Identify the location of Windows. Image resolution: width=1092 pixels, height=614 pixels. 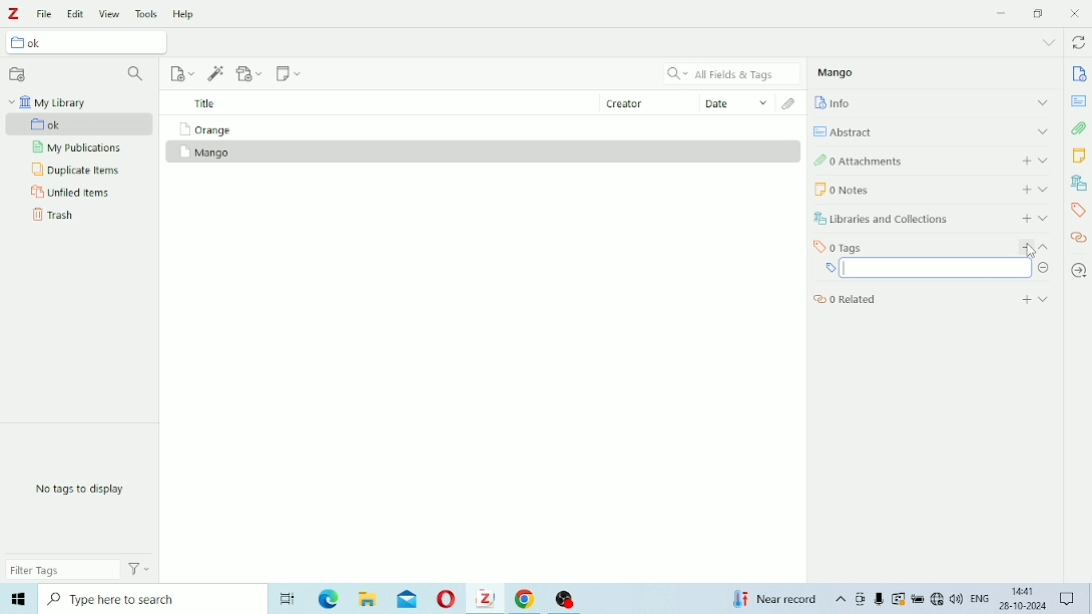
(18, 597).